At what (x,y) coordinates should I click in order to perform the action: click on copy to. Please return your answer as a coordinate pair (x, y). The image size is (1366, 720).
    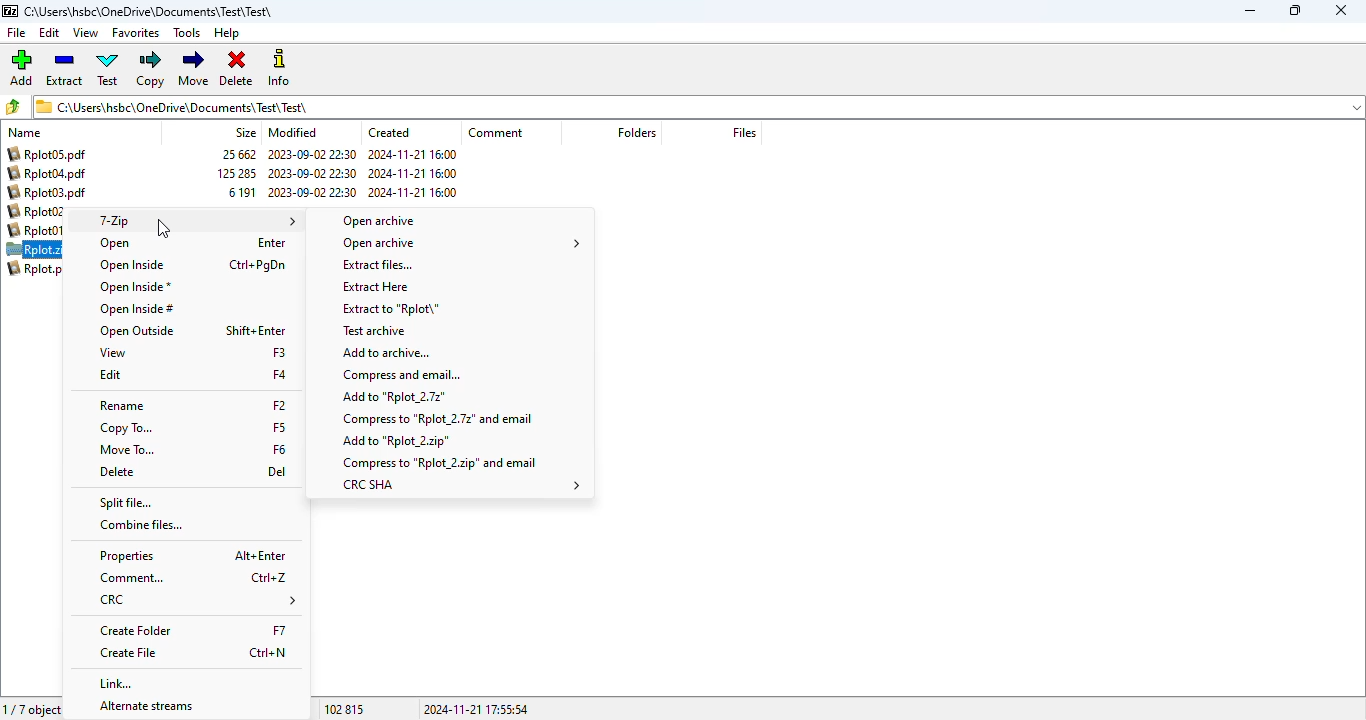
    Looking at the image, I should click on (125, 428).